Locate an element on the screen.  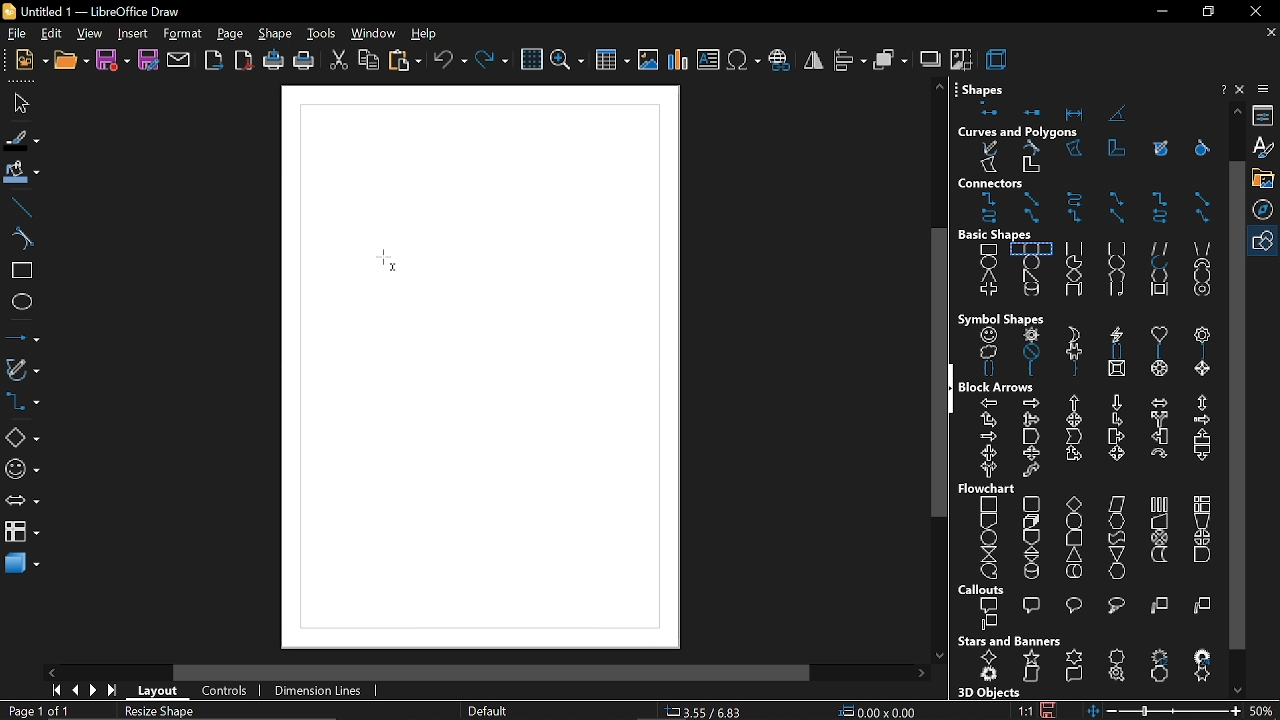
previous page is located at coordinates (74, 691).